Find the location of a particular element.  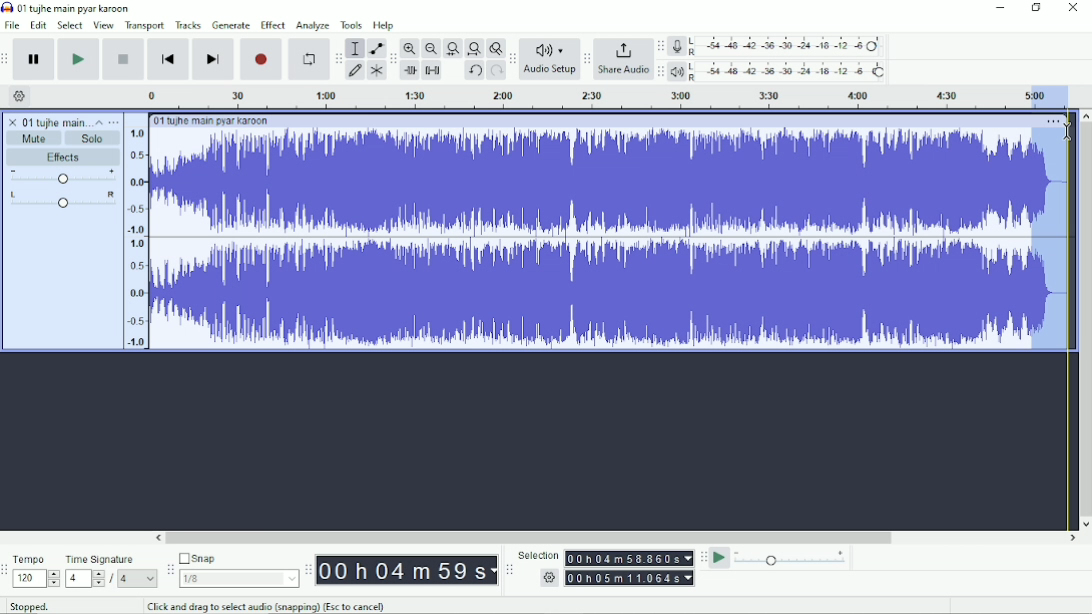

Collapse is located at coordinates (101, 123).